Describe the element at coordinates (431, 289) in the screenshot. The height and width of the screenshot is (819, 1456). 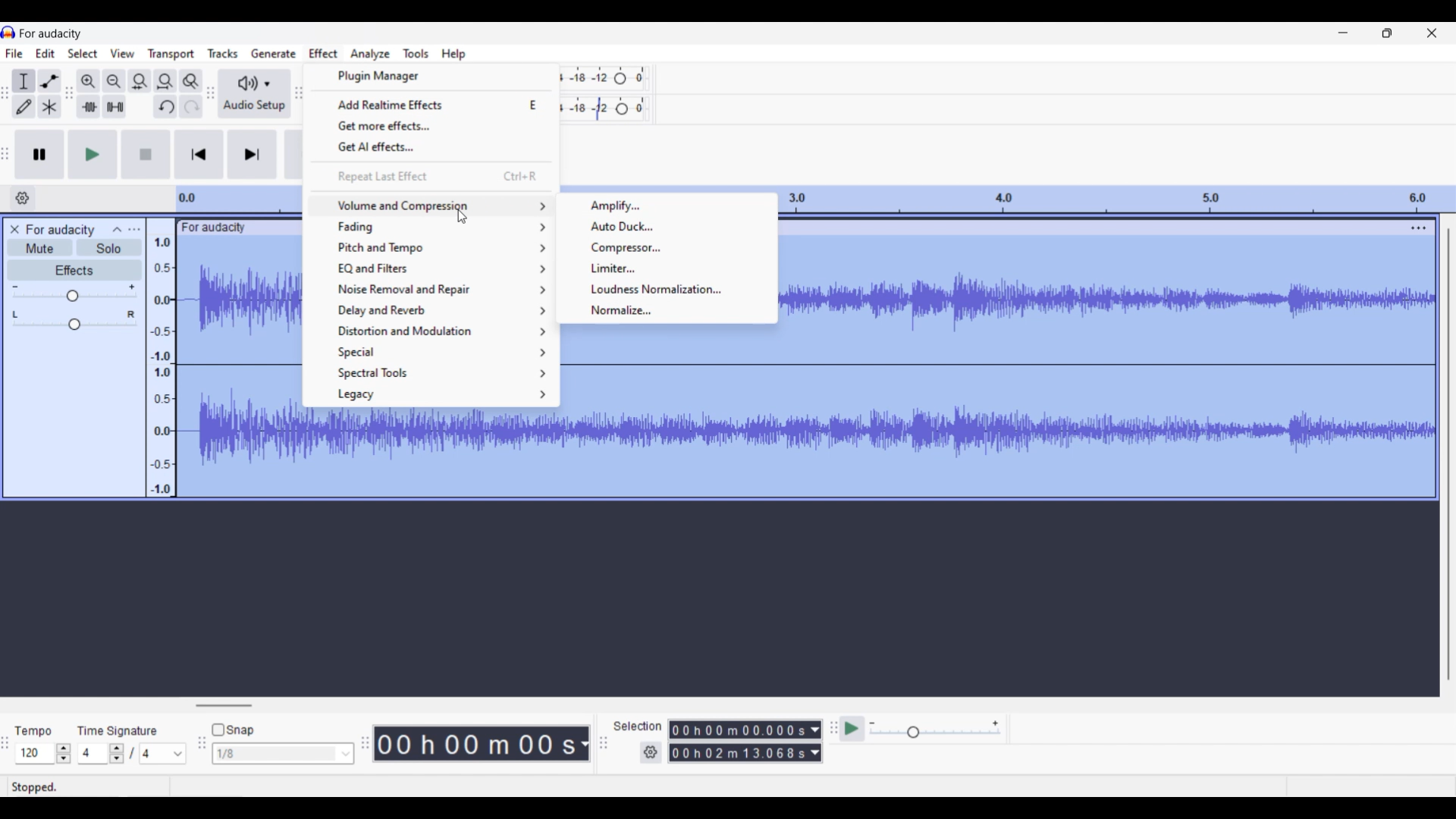
I see `Noise removal and repair` at that location.